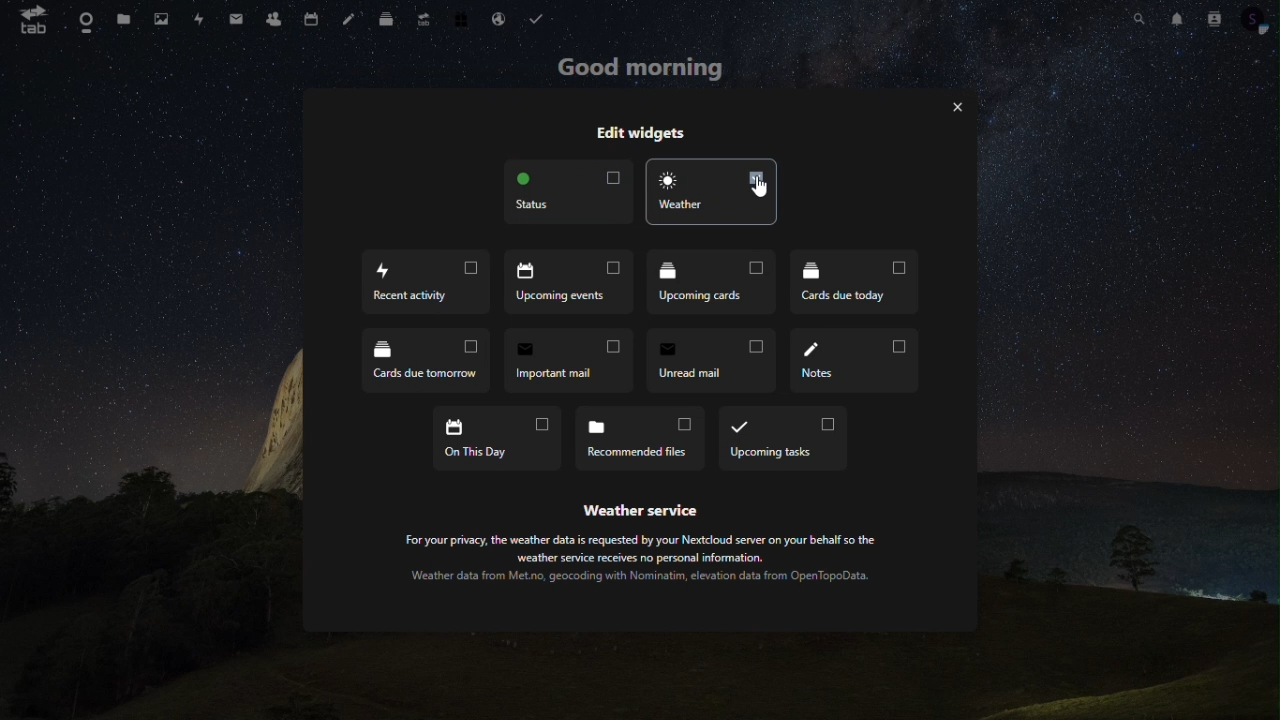 The image size is (1280, 720). I want to click on good morning, so click(636, 67).